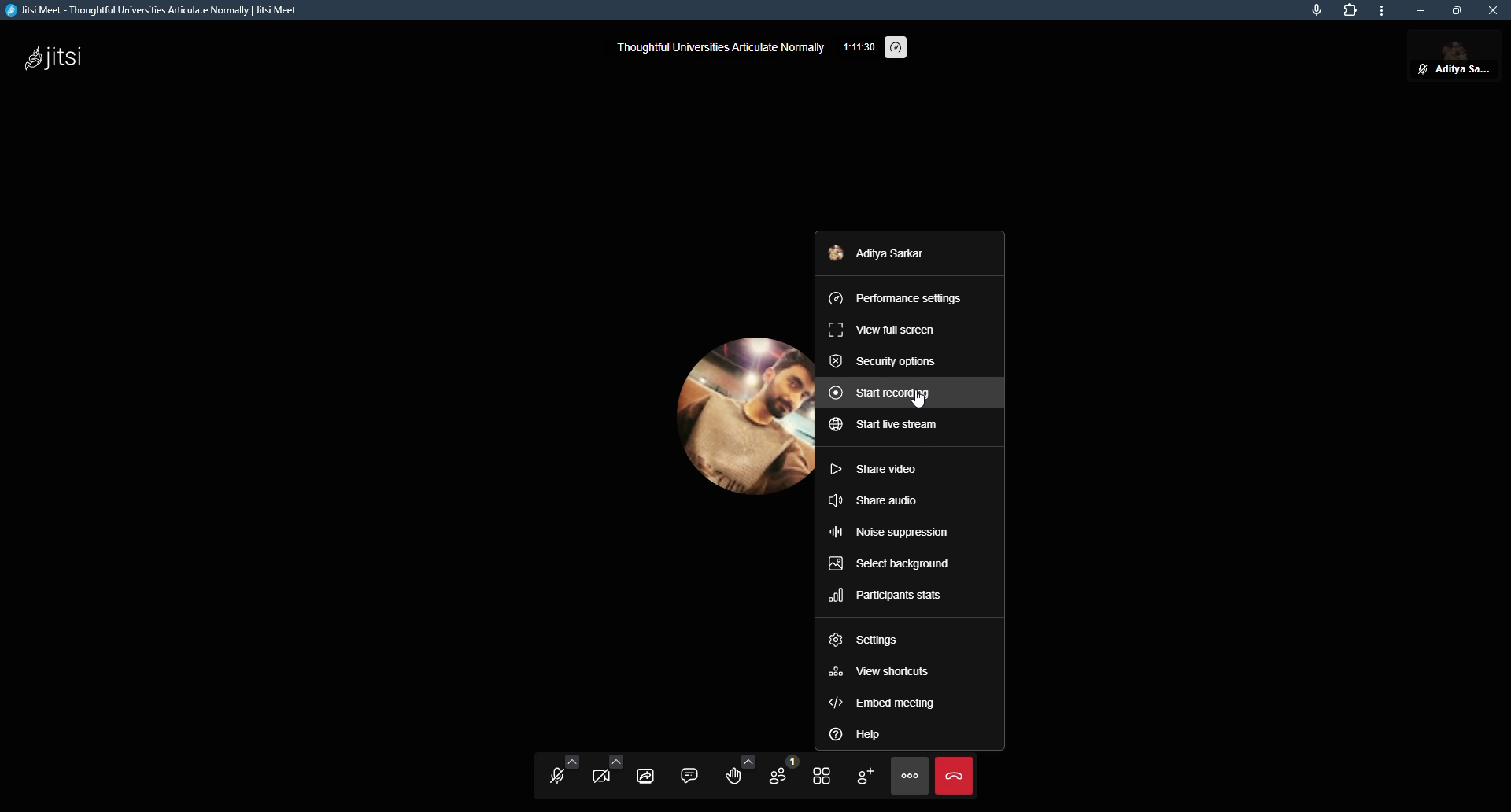  What do you see at coordinates (880, 467) in the screenshot?
I see `share video` at bounding box center [880, 467].